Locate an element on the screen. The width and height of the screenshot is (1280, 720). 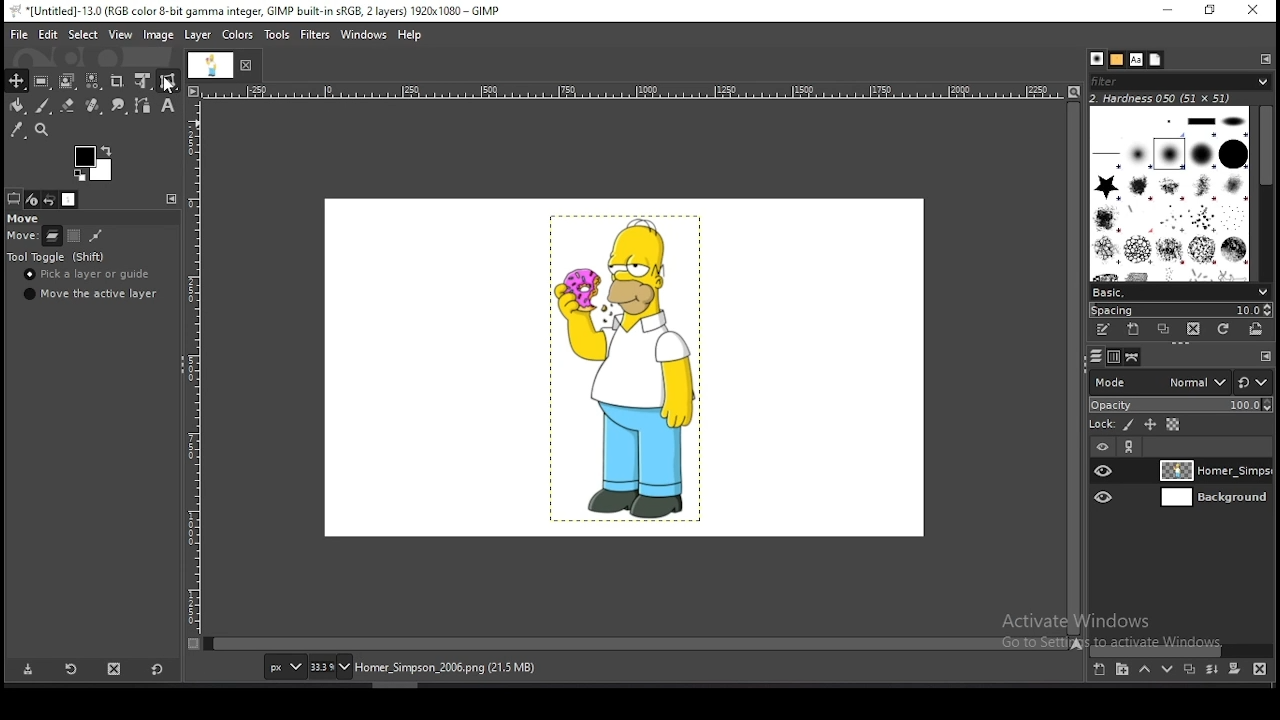
delete brush is located at coordinates (1195, 330).